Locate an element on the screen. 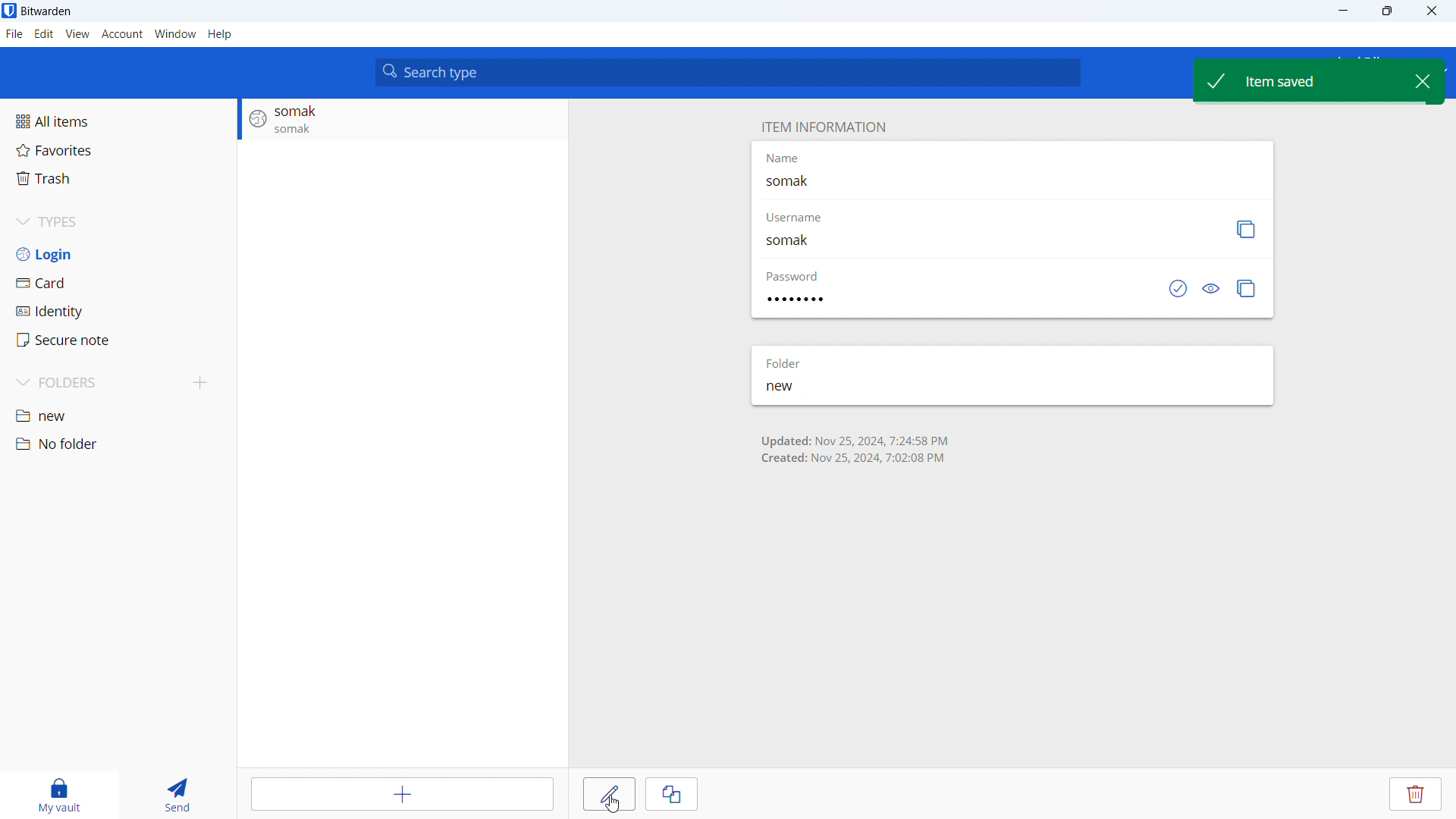 The image size is (1456, 819). all items is located at coordinates (118, 121).